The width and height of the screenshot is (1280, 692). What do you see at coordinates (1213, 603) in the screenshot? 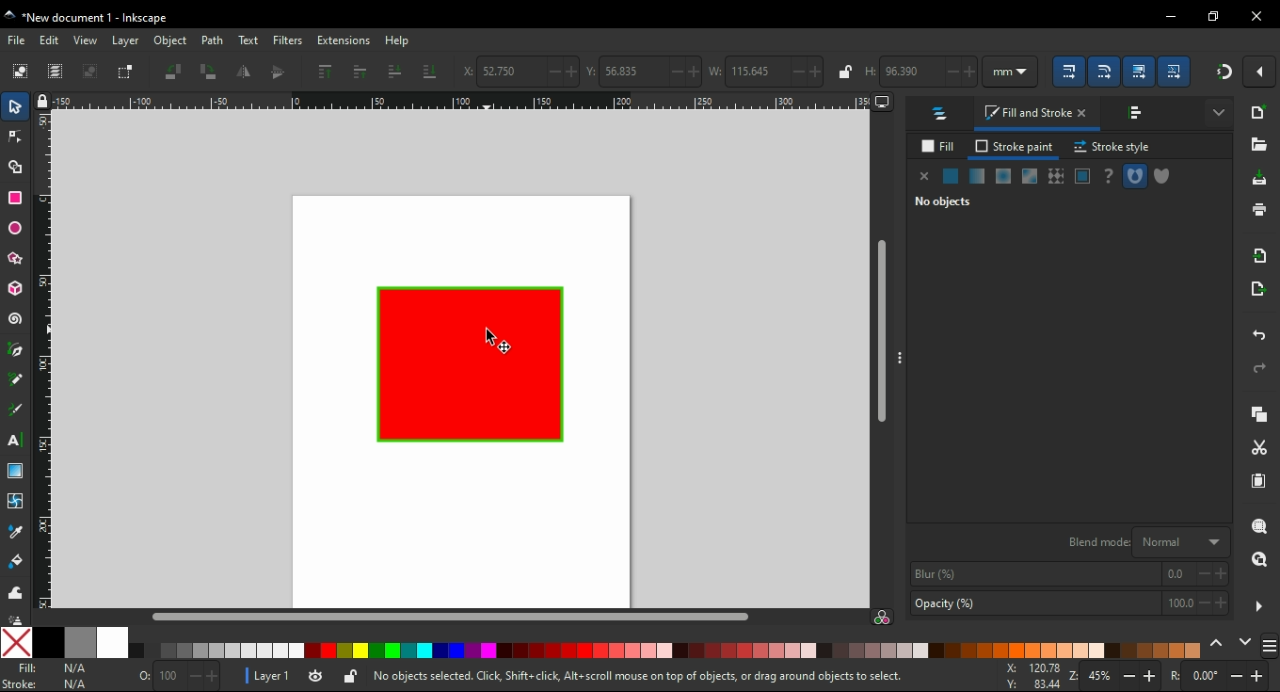
I see `increase/decrease` at bounding box center [1213, 603].